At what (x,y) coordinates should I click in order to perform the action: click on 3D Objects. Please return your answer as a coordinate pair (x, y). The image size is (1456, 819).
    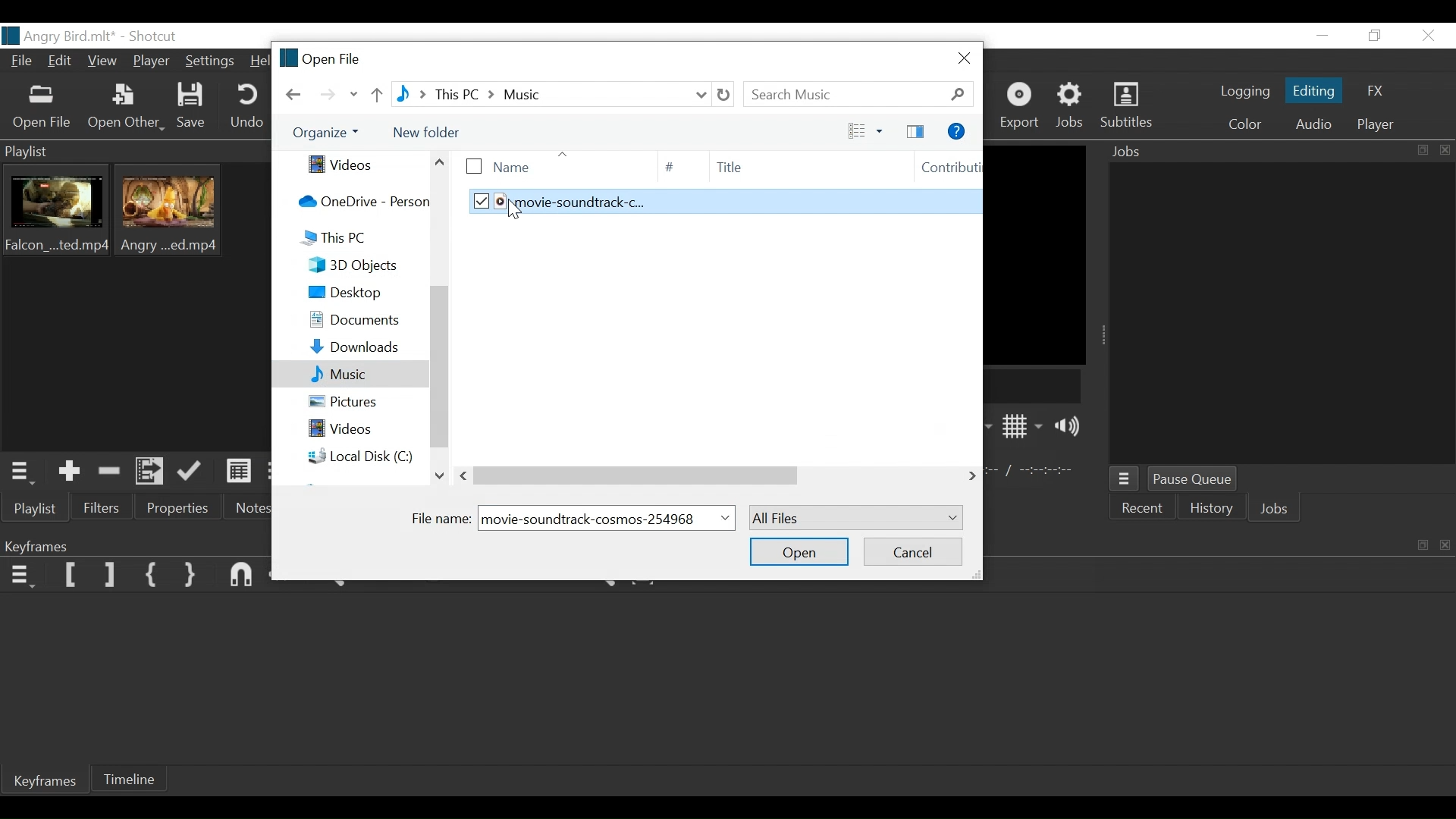
    Looking at the image, I should click on (344, 265).